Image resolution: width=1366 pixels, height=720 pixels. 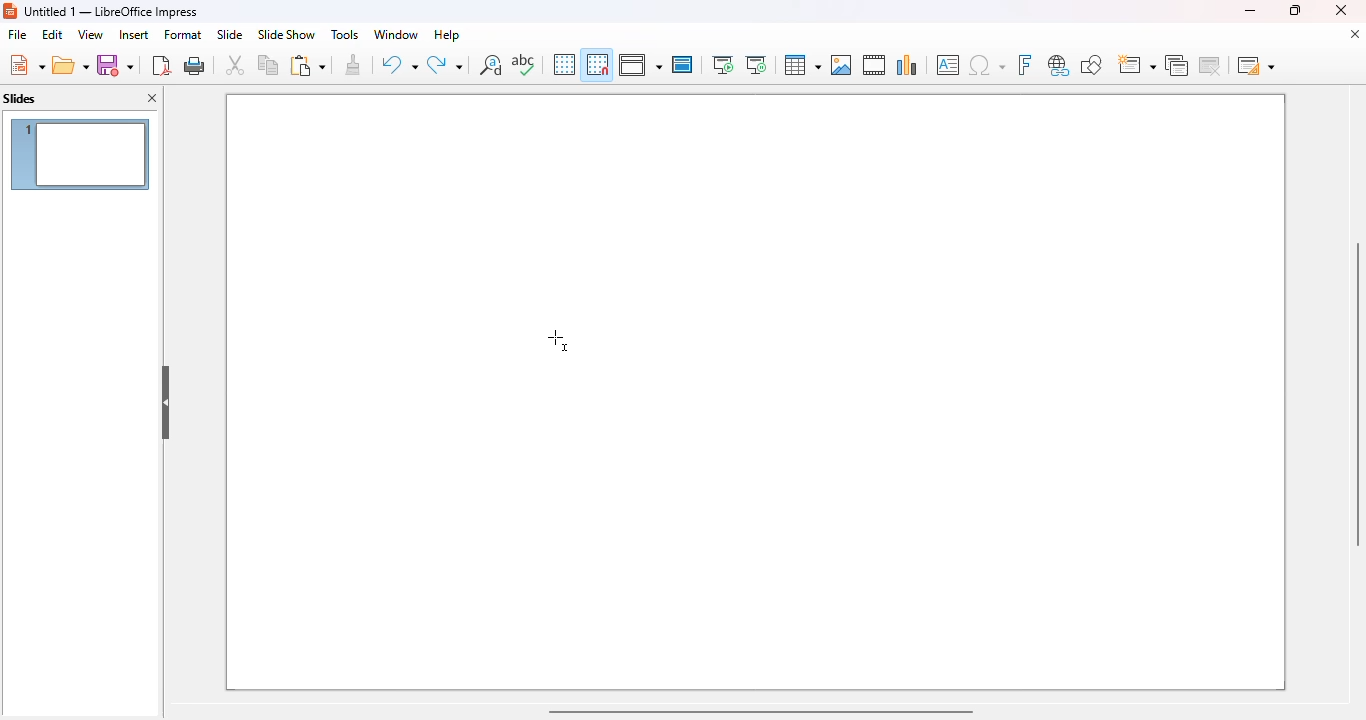 What do you see at coordinates (26, 65) in the screenshot?
I see `new` at bounding box center [26, 65].